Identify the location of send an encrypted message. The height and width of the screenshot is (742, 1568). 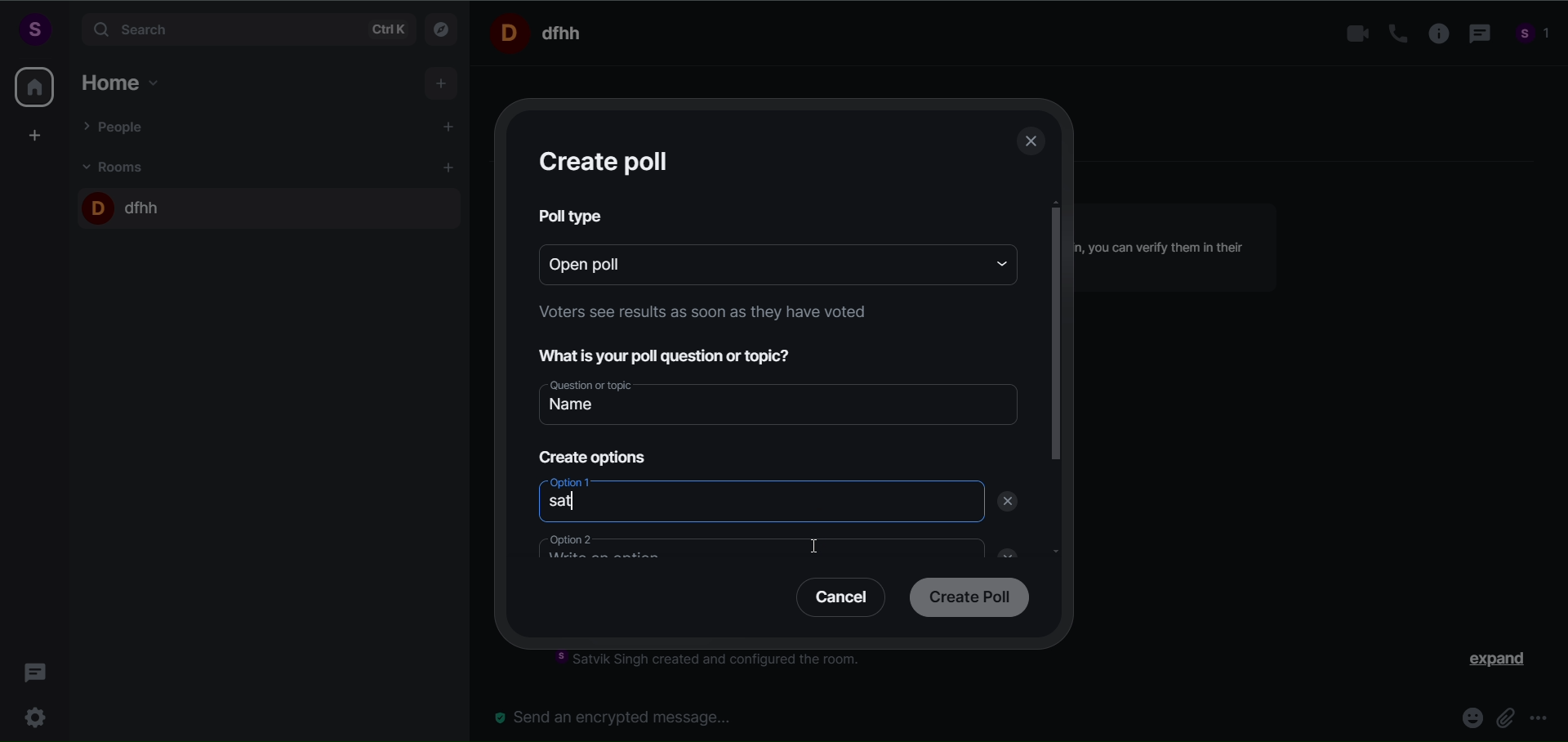
(621, 717).